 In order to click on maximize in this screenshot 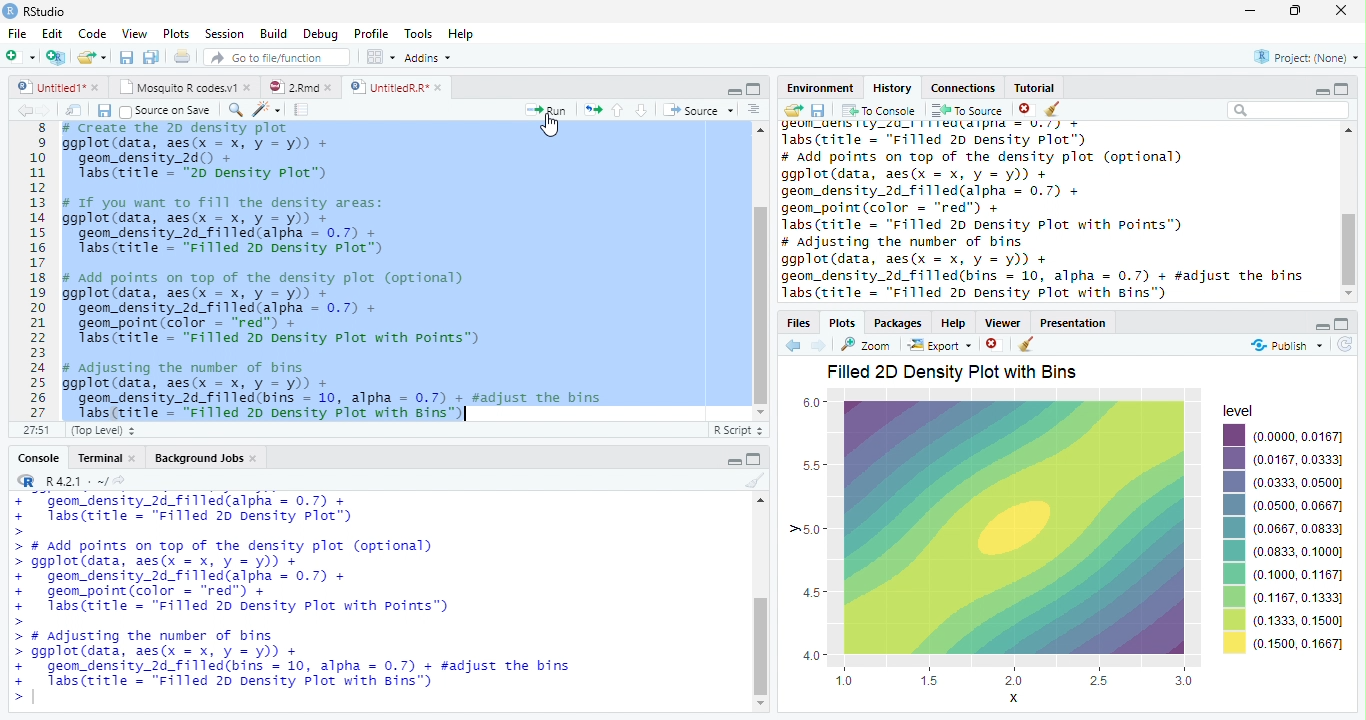, I will do `click(1297, 10)`.